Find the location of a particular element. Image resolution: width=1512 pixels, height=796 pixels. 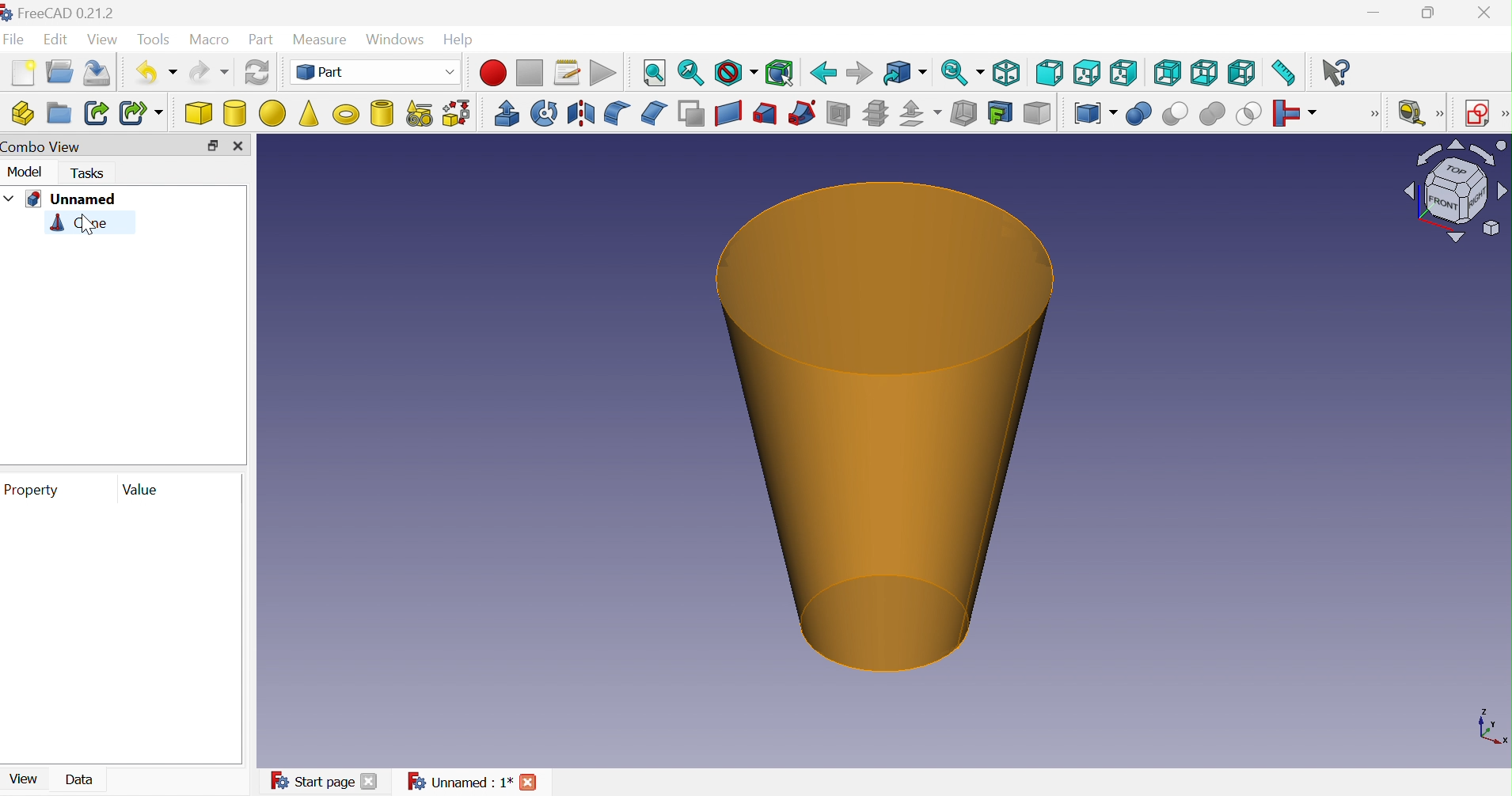

Join objects is located at coordinates (1298, 115).